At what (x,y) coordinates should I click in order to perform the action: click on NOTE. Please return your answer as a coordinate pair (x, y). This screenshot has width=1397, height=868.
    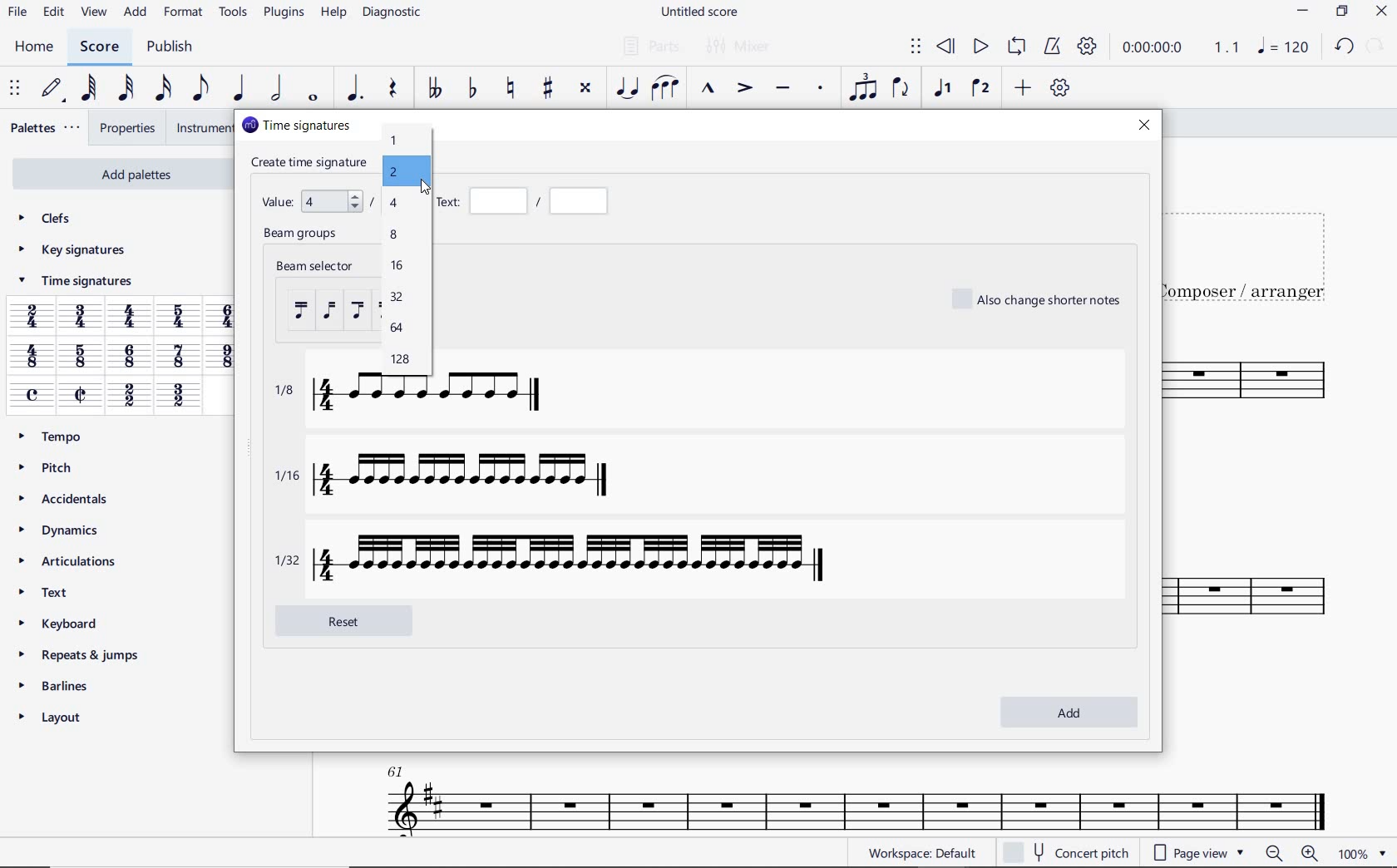
    Looking at the image, I should click on (1282, 46).